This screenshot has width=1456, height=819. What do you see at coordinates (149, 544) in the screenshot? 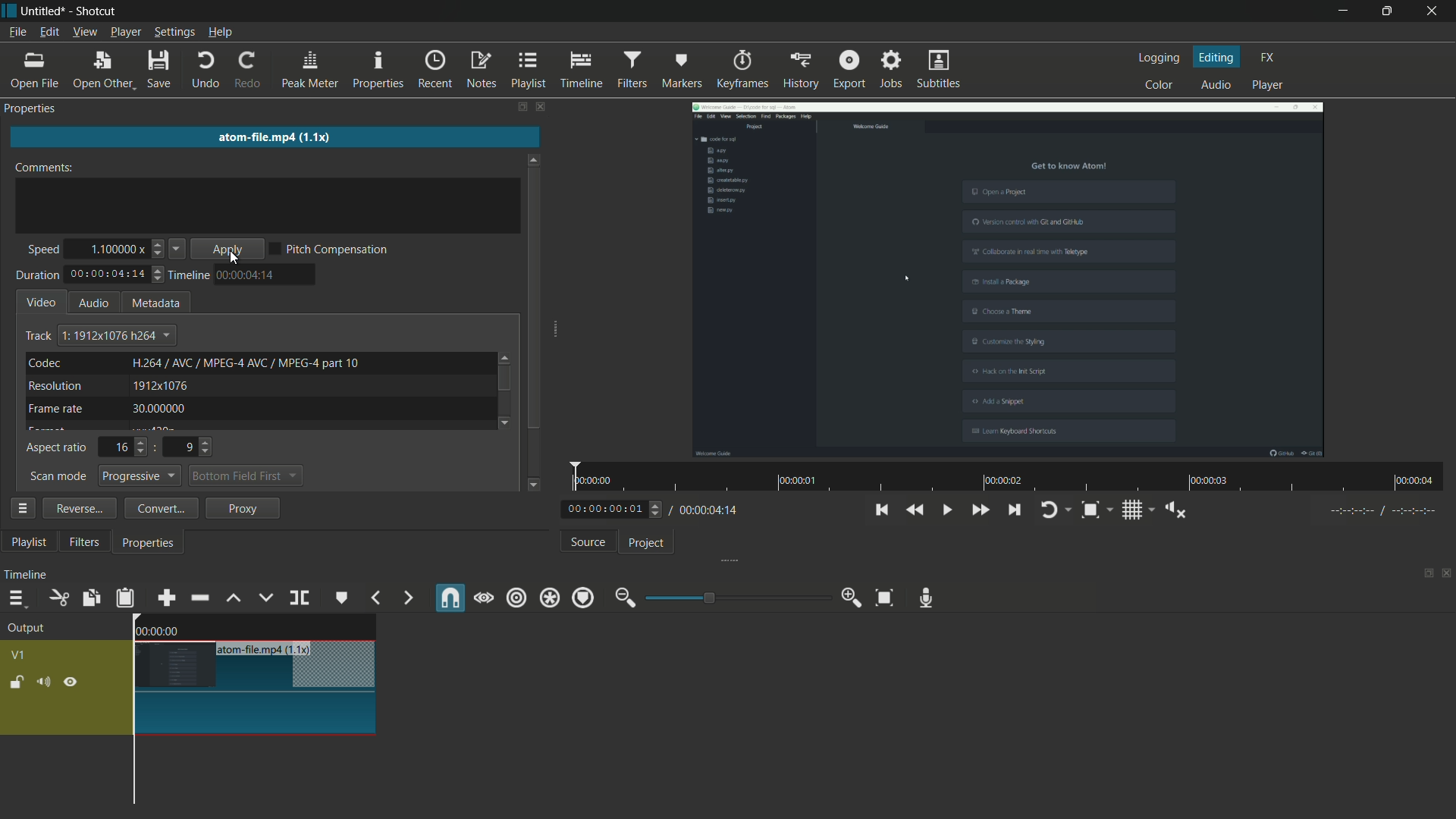
I see `properties` at bounding box center [149, 544].